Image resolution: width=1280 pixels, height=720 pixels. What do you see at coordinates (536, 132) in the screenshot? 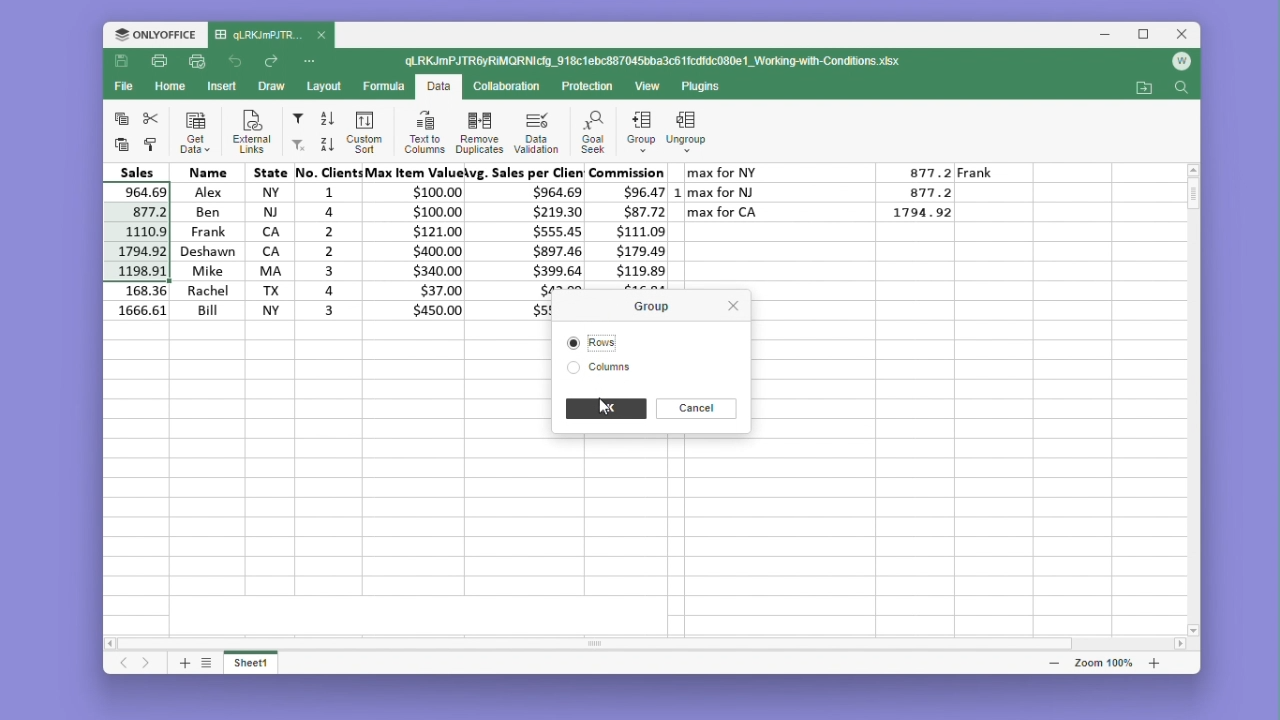
I see `Data validation` at bounding box center [536, 132].